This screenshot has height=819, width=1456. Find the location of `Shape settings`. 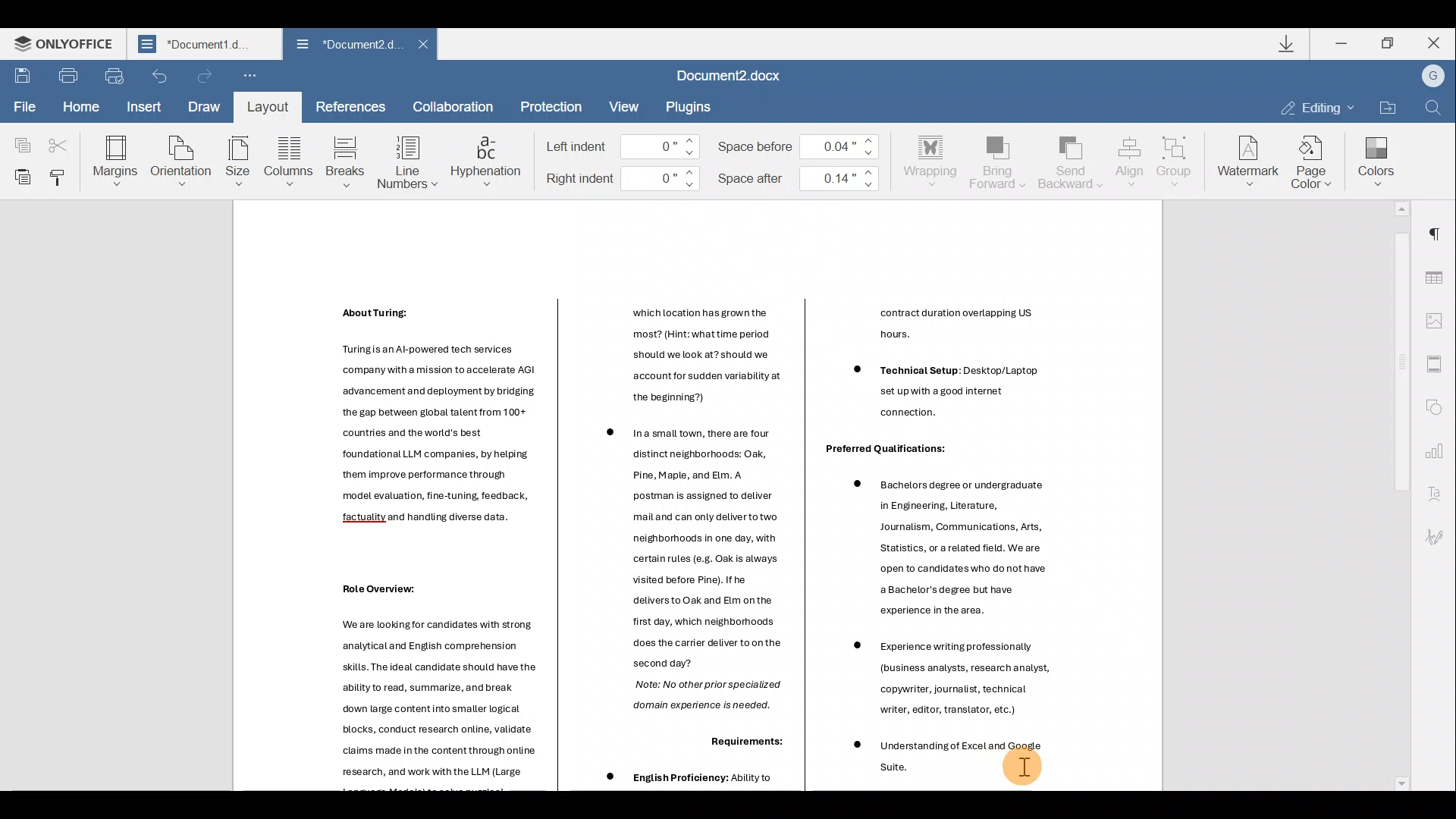

Shape settings is located at coordinates (1439, 409).